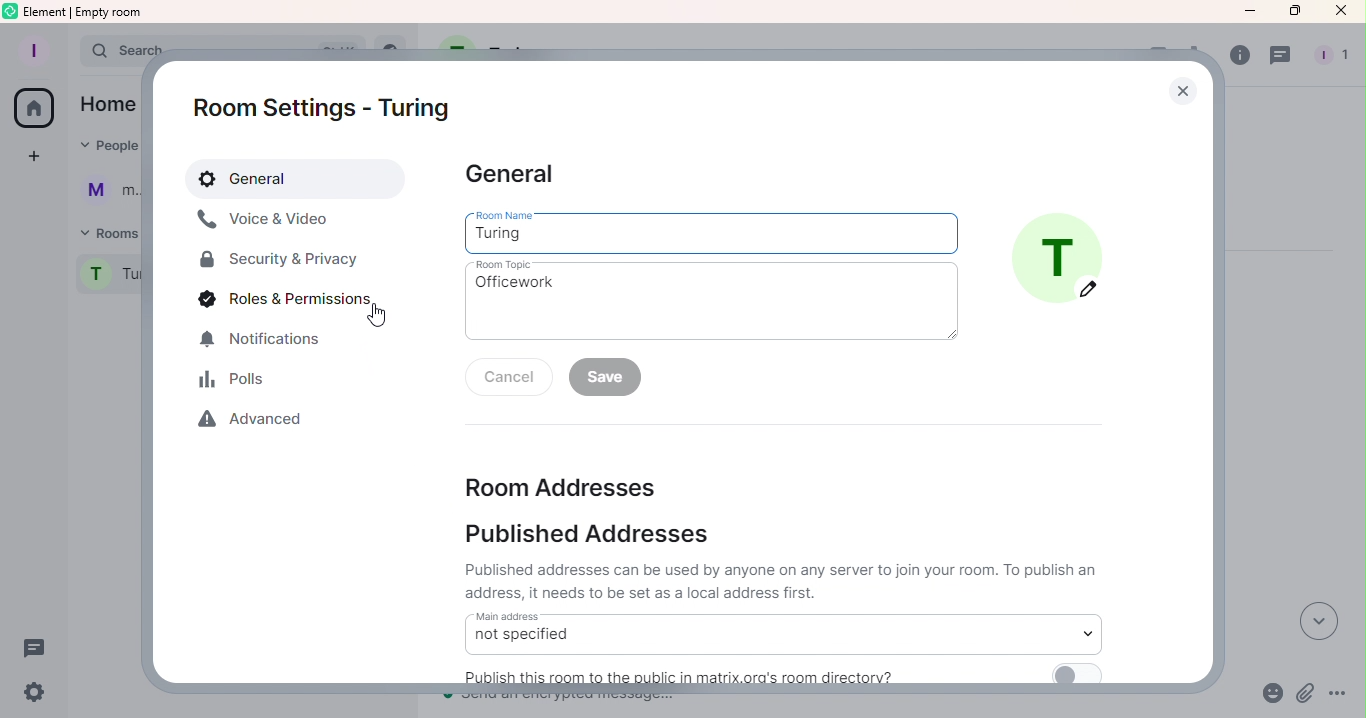 The width and height of the screenshot is (1366, 718). I want to click on User, so click(110, 191).